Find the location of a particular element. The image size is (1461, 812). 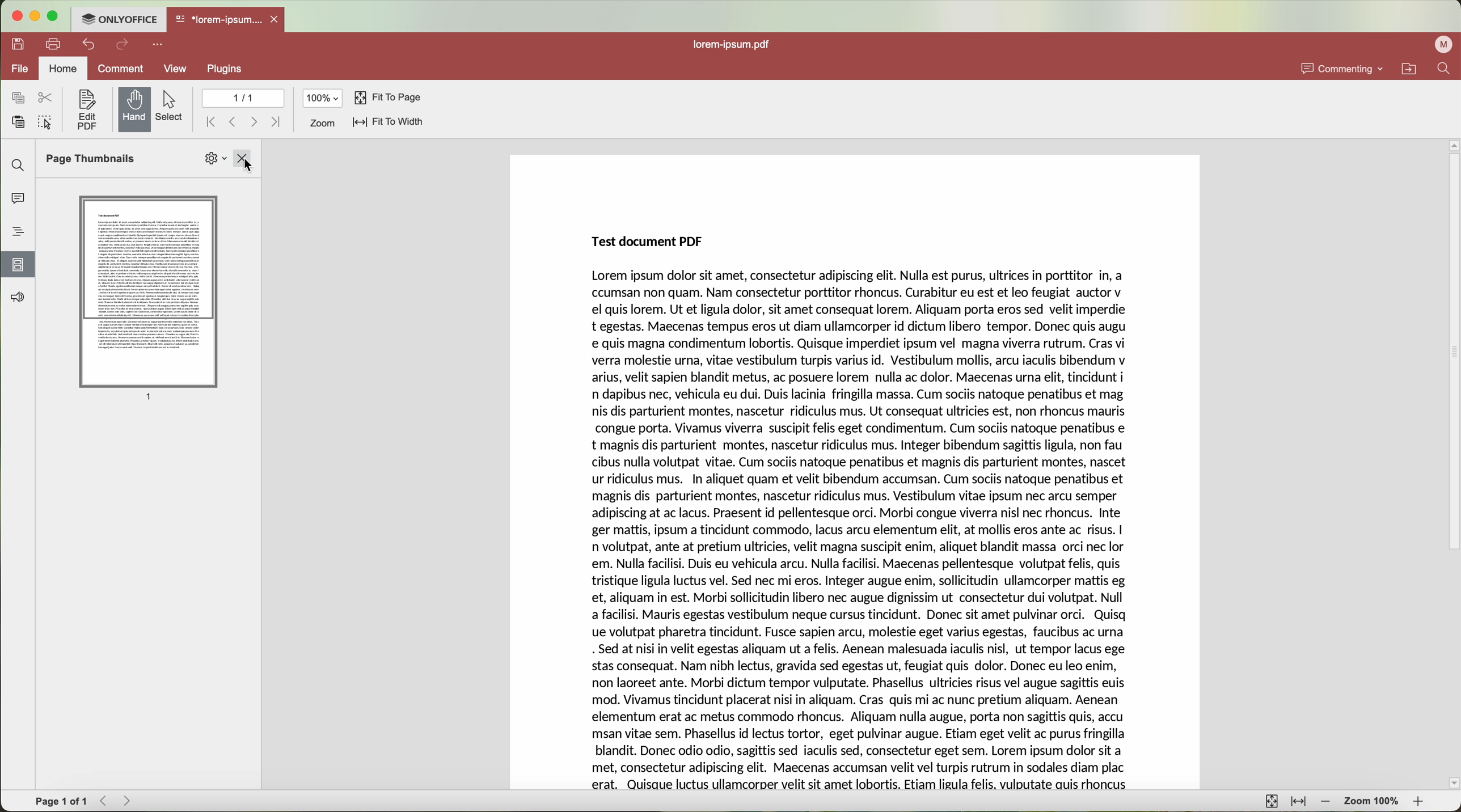

undo is located at coordinates (86, 44).